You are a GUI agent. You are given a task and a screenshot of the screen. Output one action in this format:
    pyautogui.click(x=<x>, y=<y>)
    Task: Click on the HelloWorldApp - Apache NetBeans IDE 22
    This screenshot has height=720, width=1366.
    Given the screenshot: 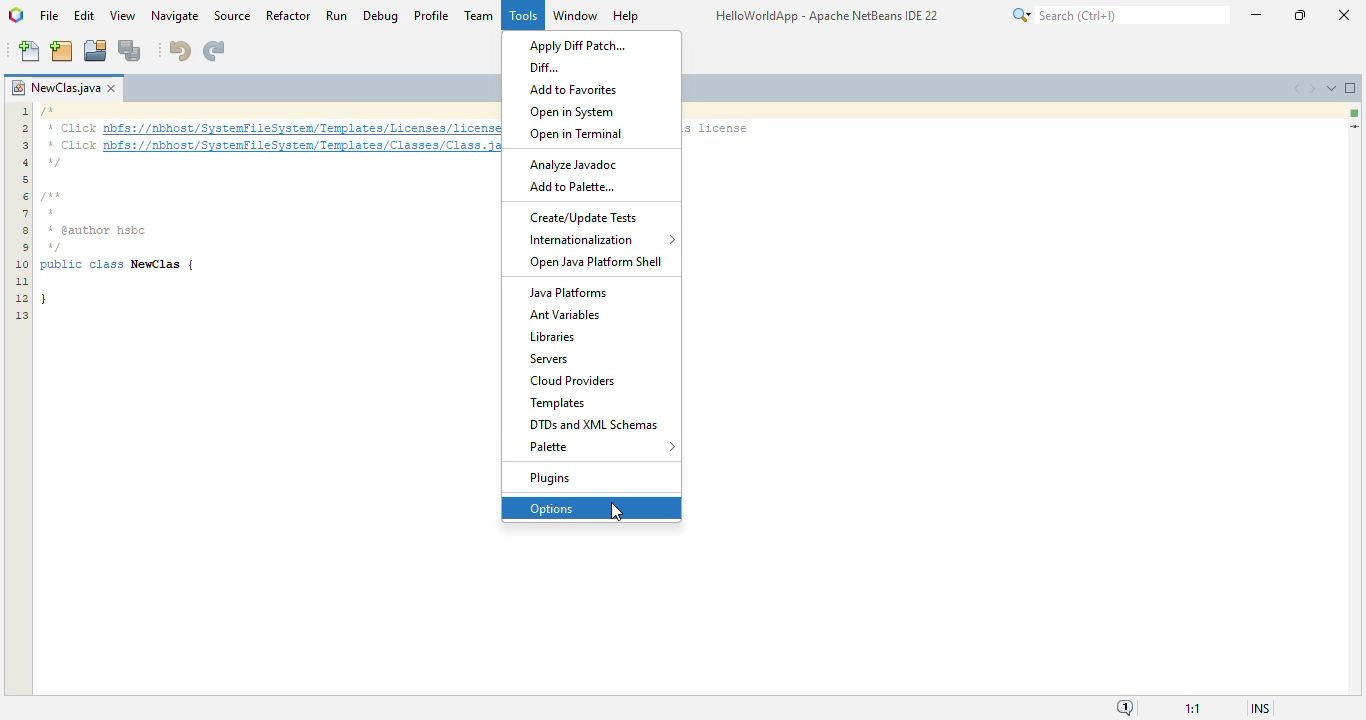 What is the action you would take?
    pyautogui.click(x=826, y=18)
    